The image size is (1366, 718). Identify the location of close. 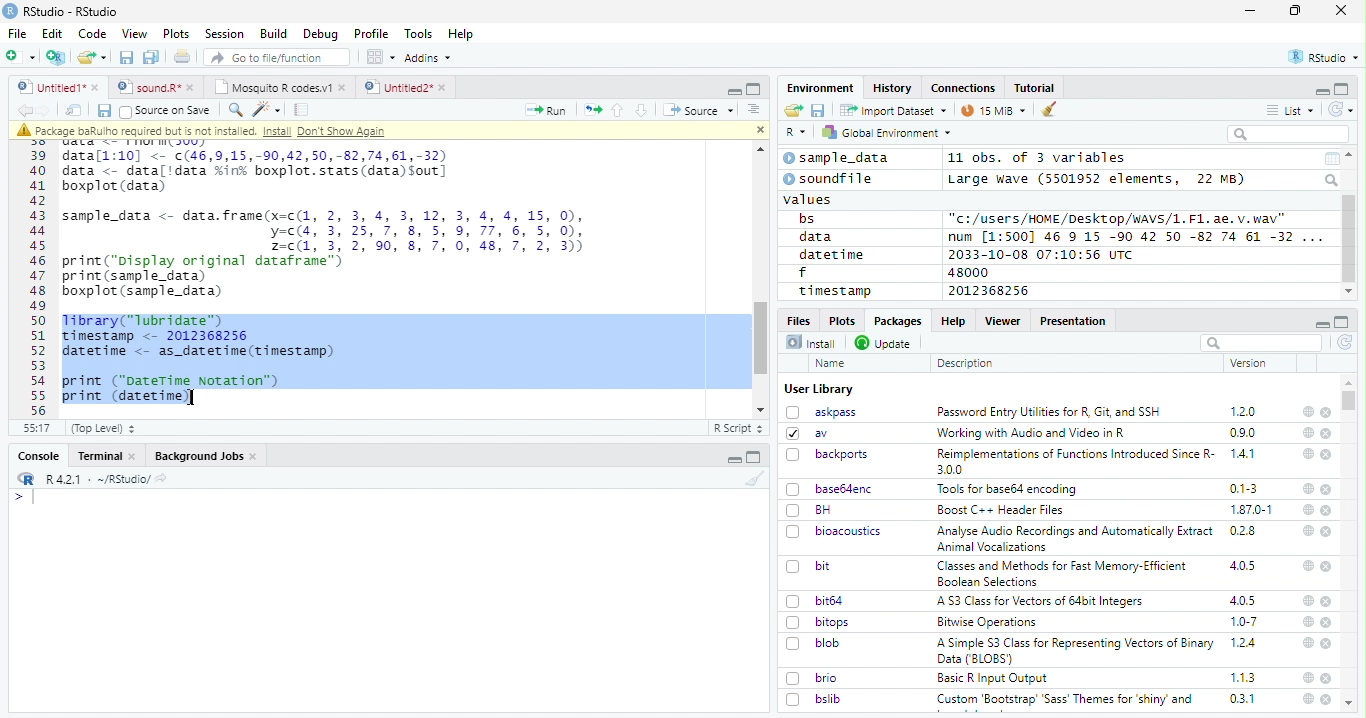
(1327, 566).